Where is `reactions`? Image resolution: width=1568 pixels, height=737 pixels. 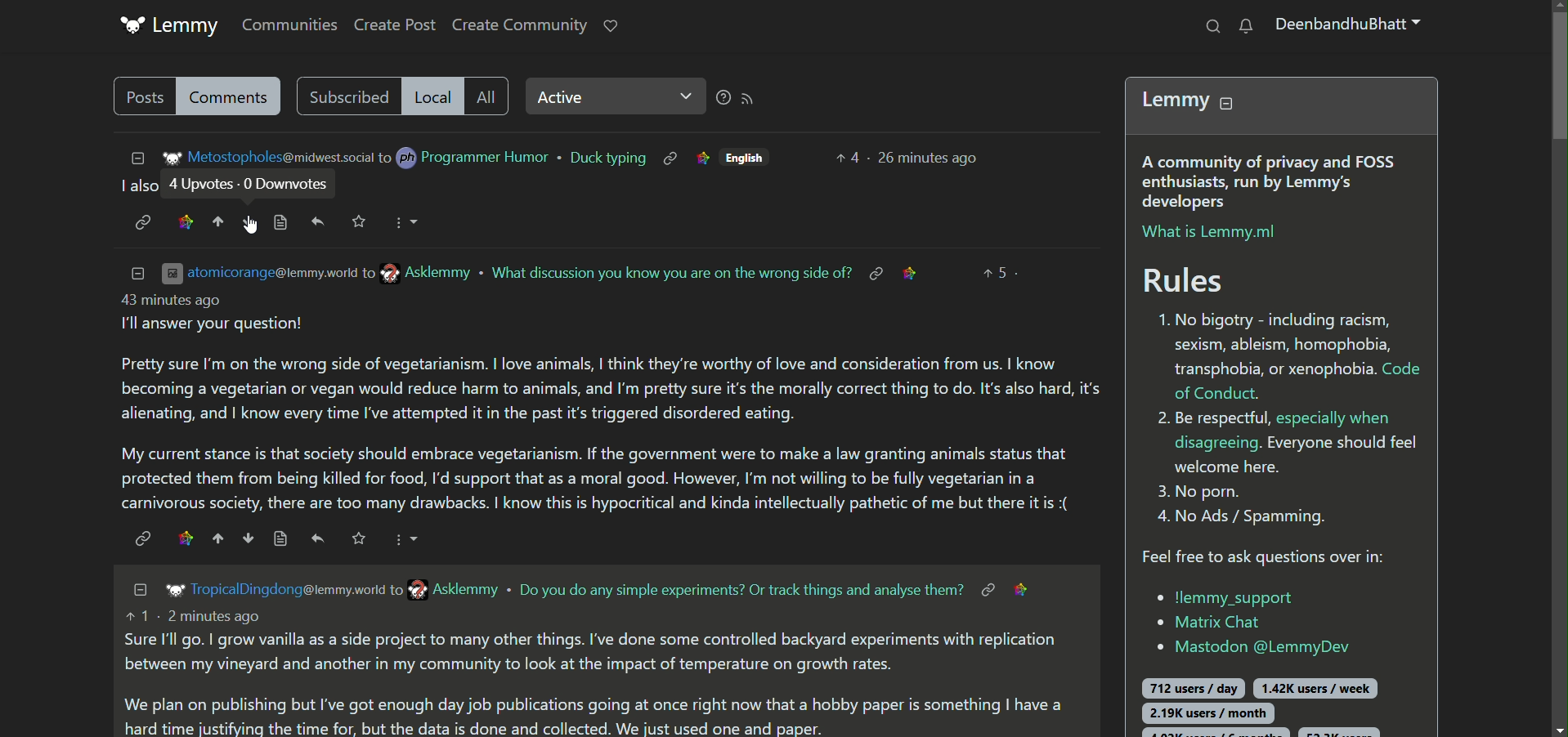
reactions is located at coordinates (1000, 271).